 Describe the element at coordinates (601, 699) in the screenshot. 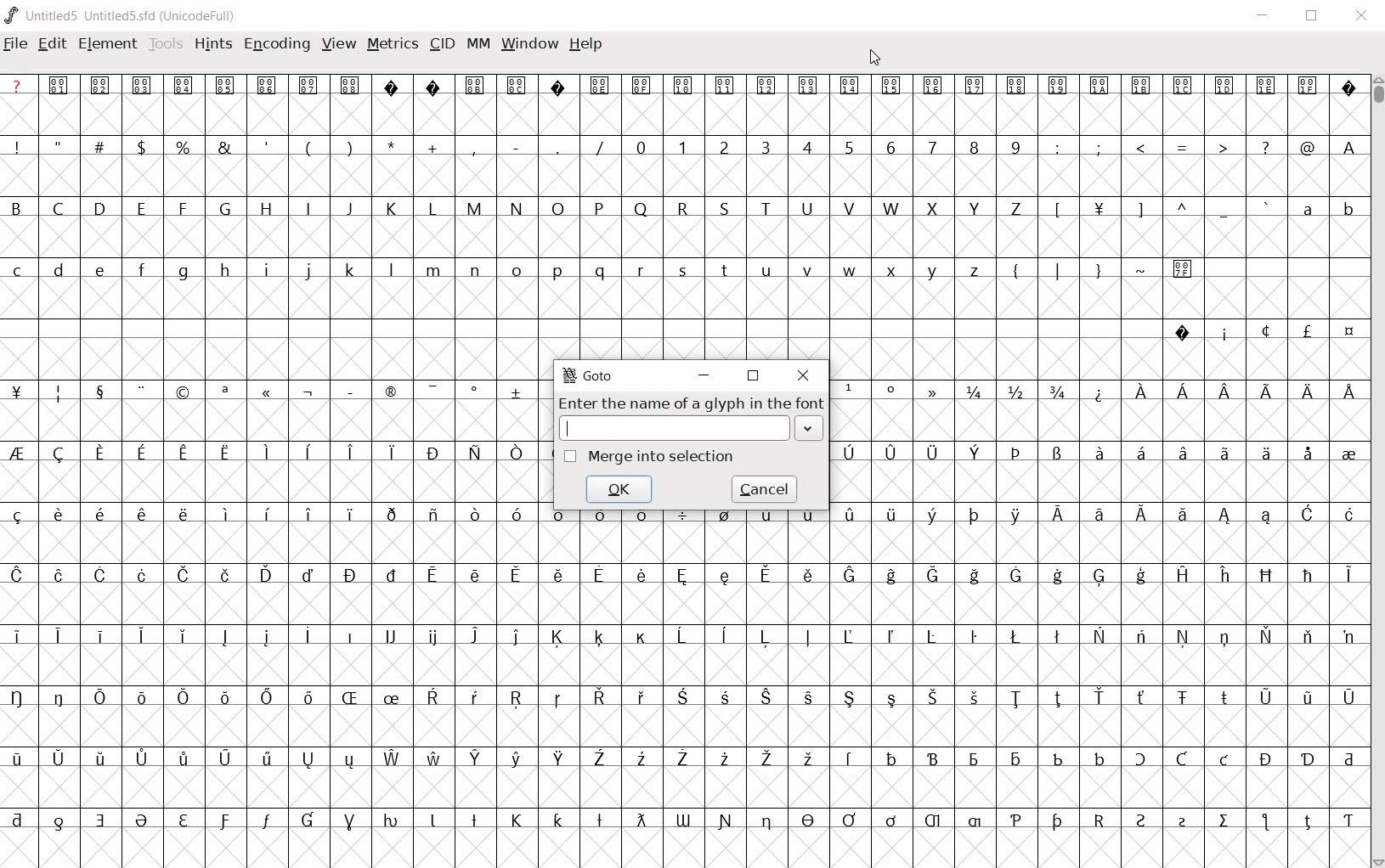

I see `Symbol` at that location.